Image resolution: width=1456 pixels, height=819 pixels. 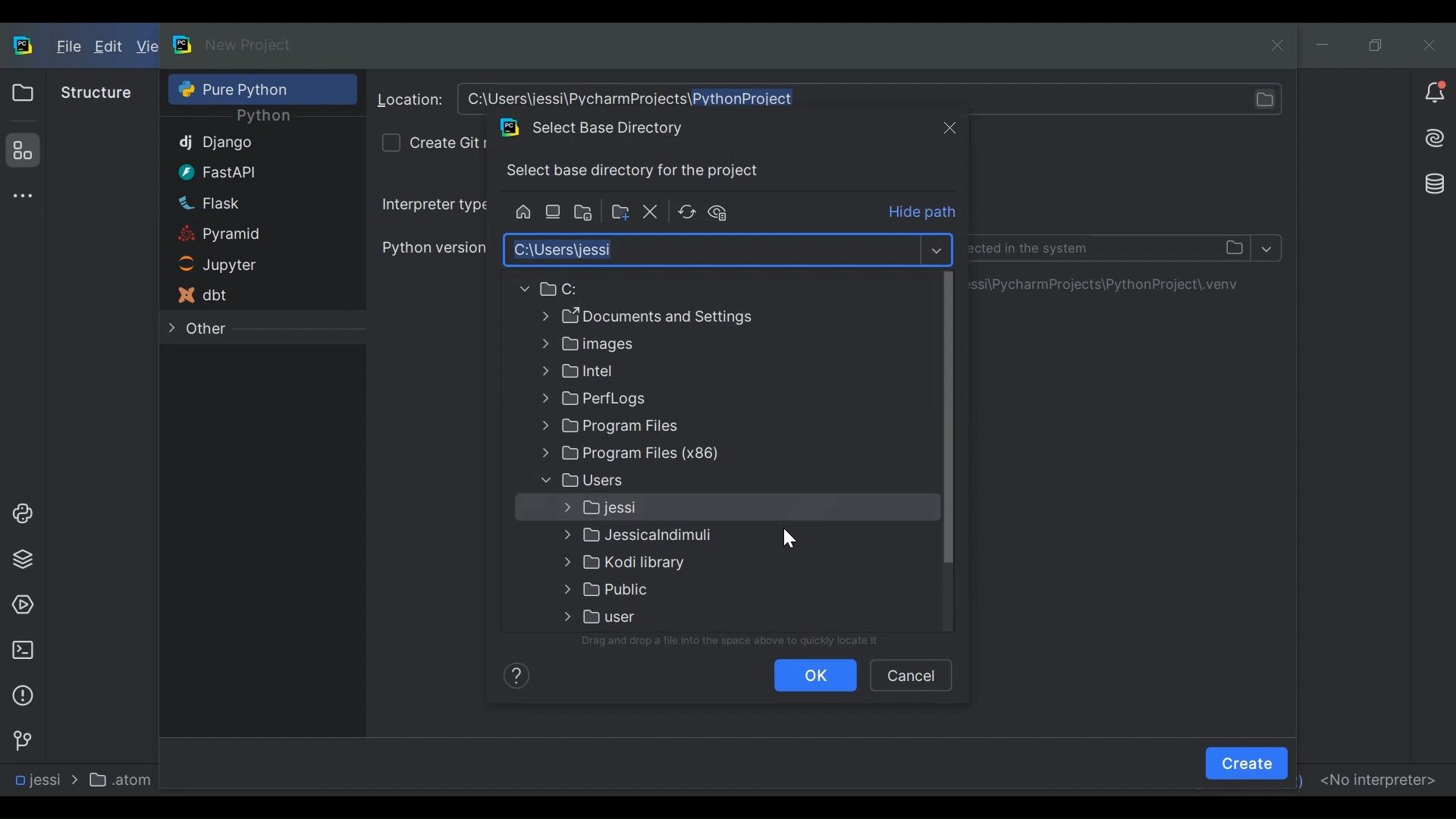 What do you see at coordinates (22, 695) in the screenshot?
I see `Problem` at bounding box center [22, 695].